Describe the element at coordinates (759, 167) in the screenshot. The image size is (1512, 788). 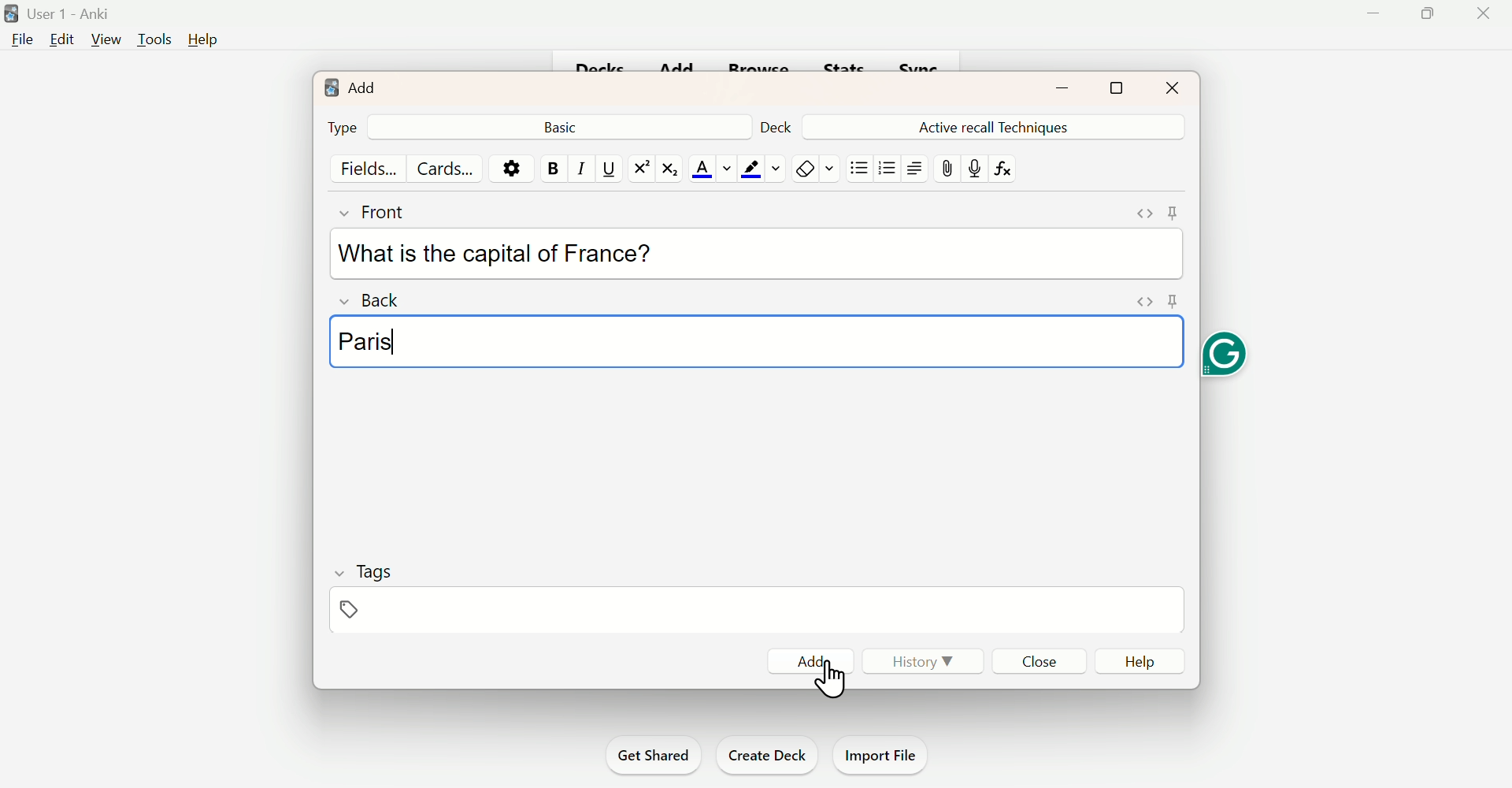
I see `Text Highlighting Color` at that location.